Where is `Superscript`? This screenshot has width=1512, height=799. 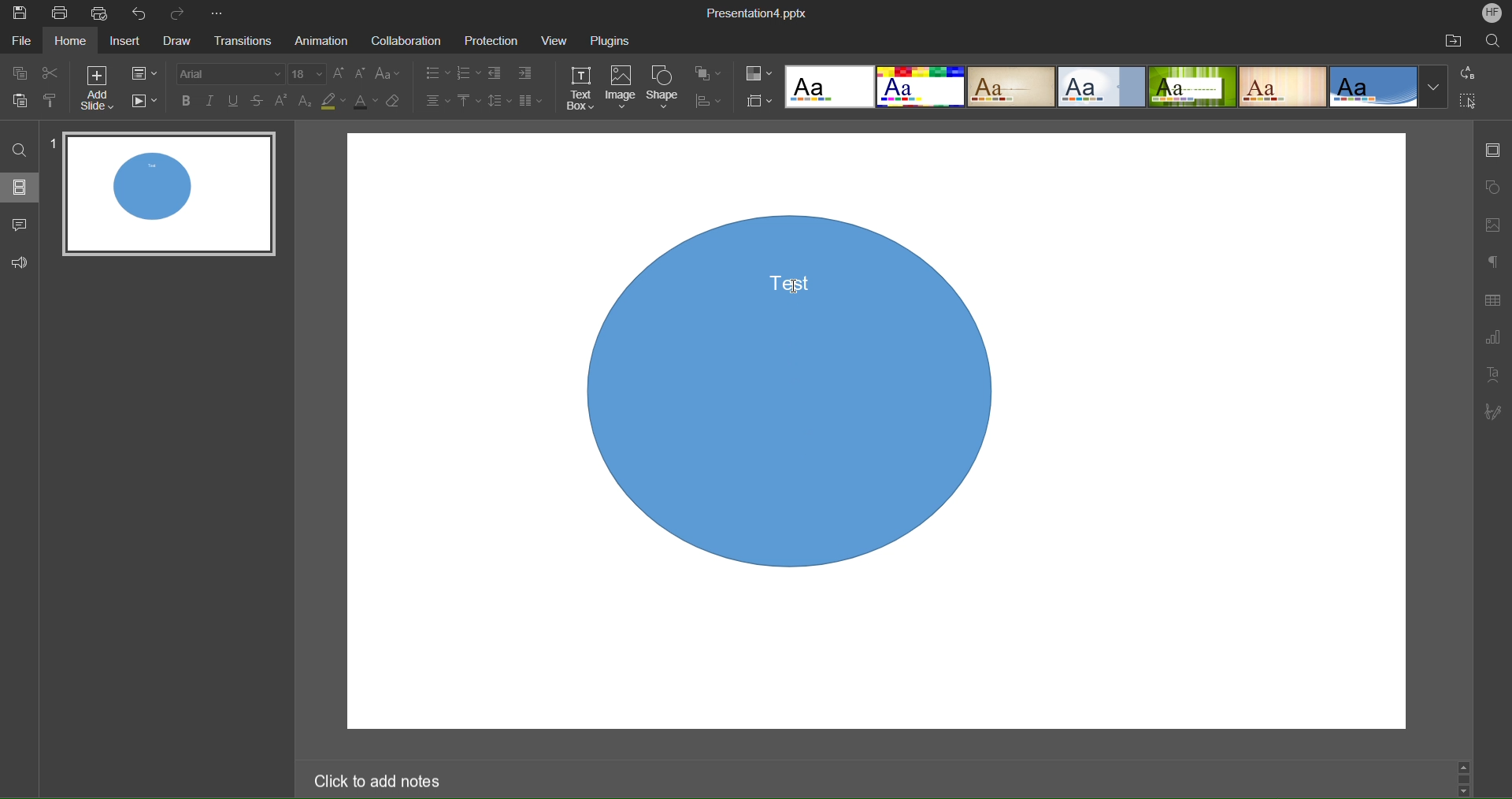 Superscript is located at coordinates (283, 102).